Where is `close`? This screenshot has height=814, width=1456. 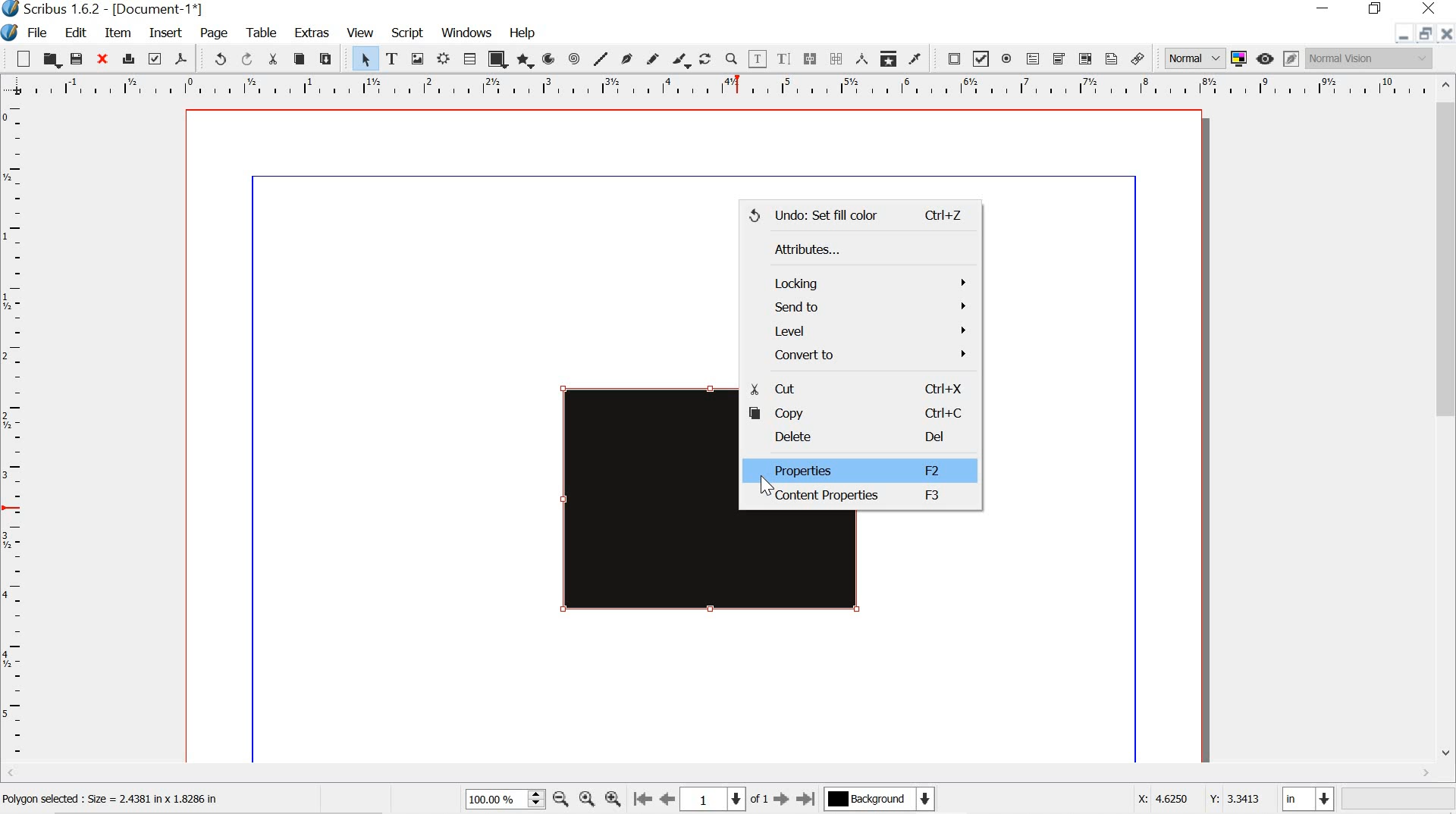 close is located at coordinates (101, 58).